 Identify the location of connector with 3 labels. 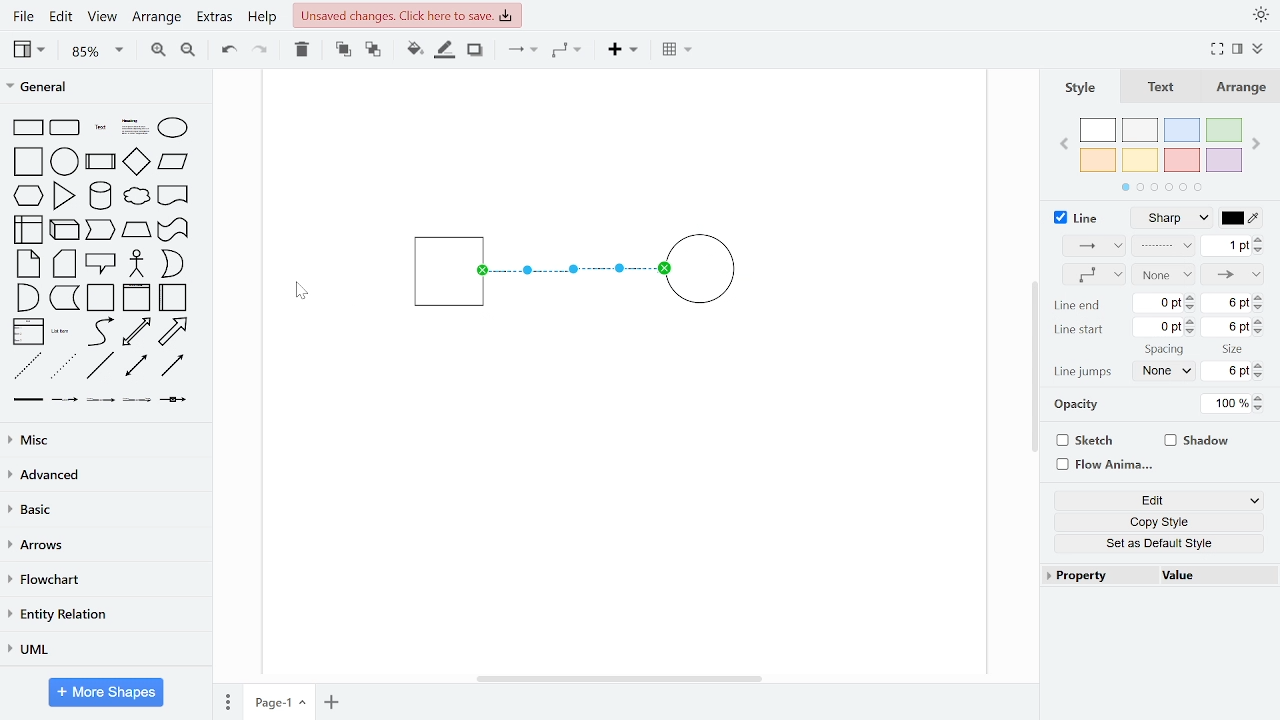
(139, 401).